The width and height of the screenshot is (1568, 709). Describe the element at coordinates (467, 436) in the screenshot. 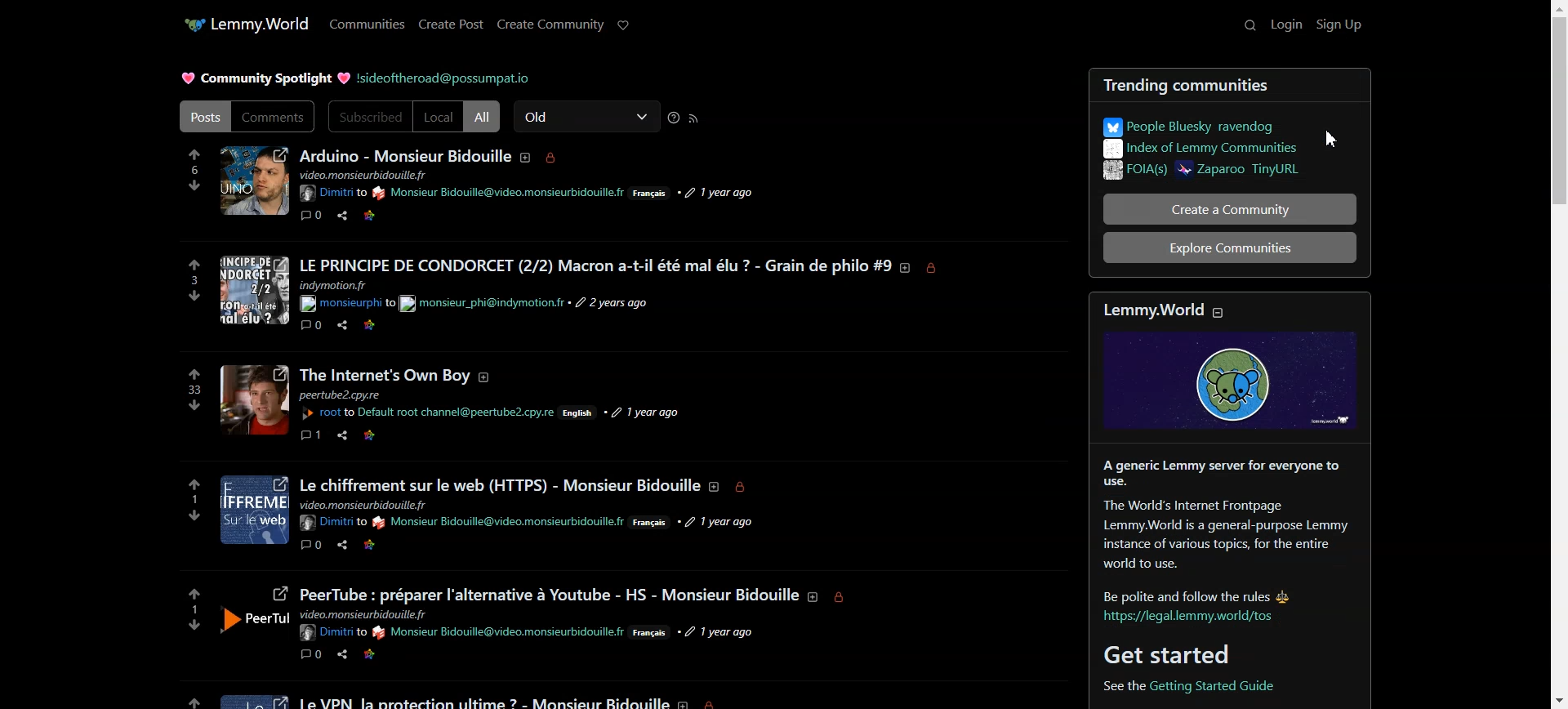

I see `more` at that location.